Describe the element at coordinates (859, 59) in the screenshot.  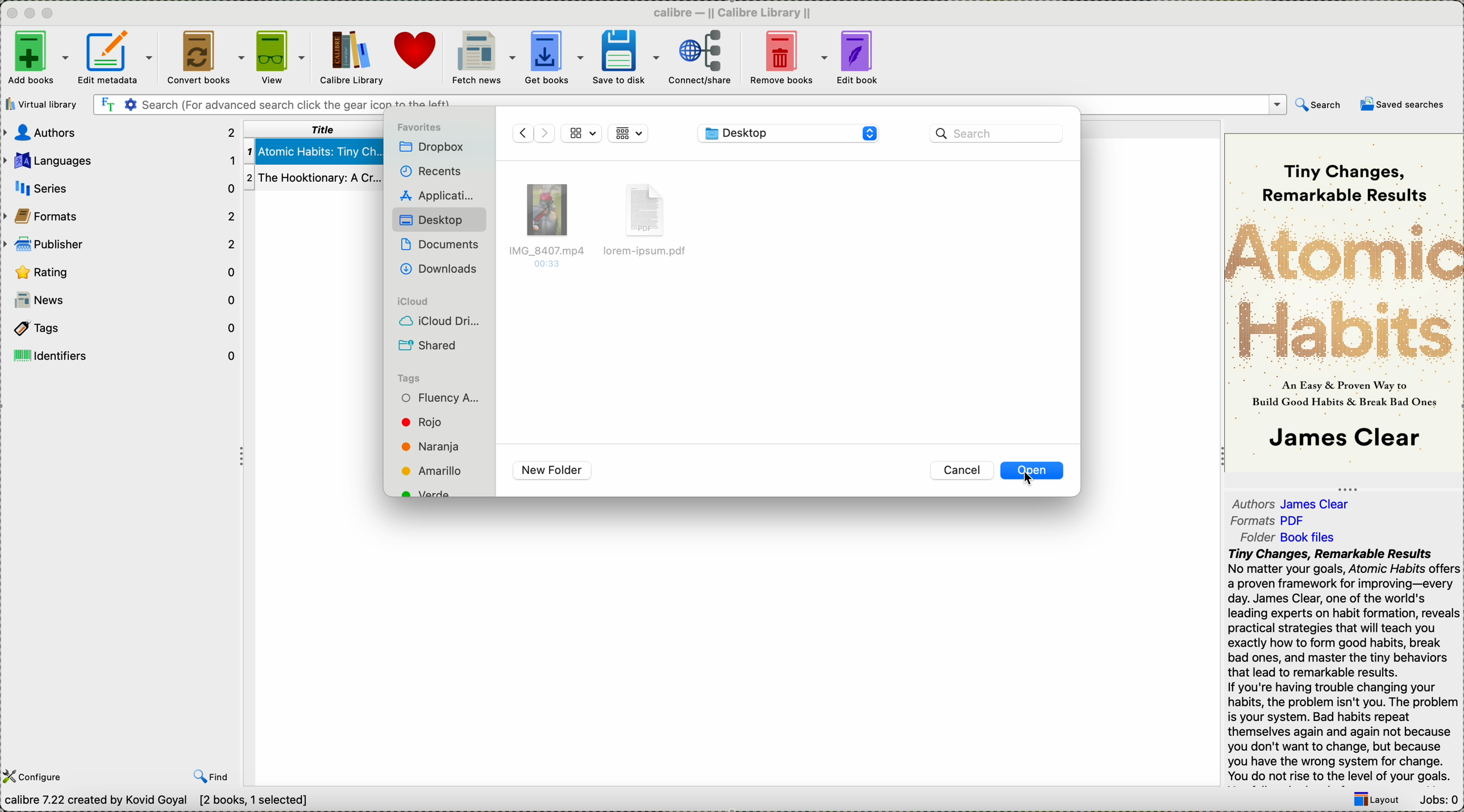
I see `edit book` at that location.